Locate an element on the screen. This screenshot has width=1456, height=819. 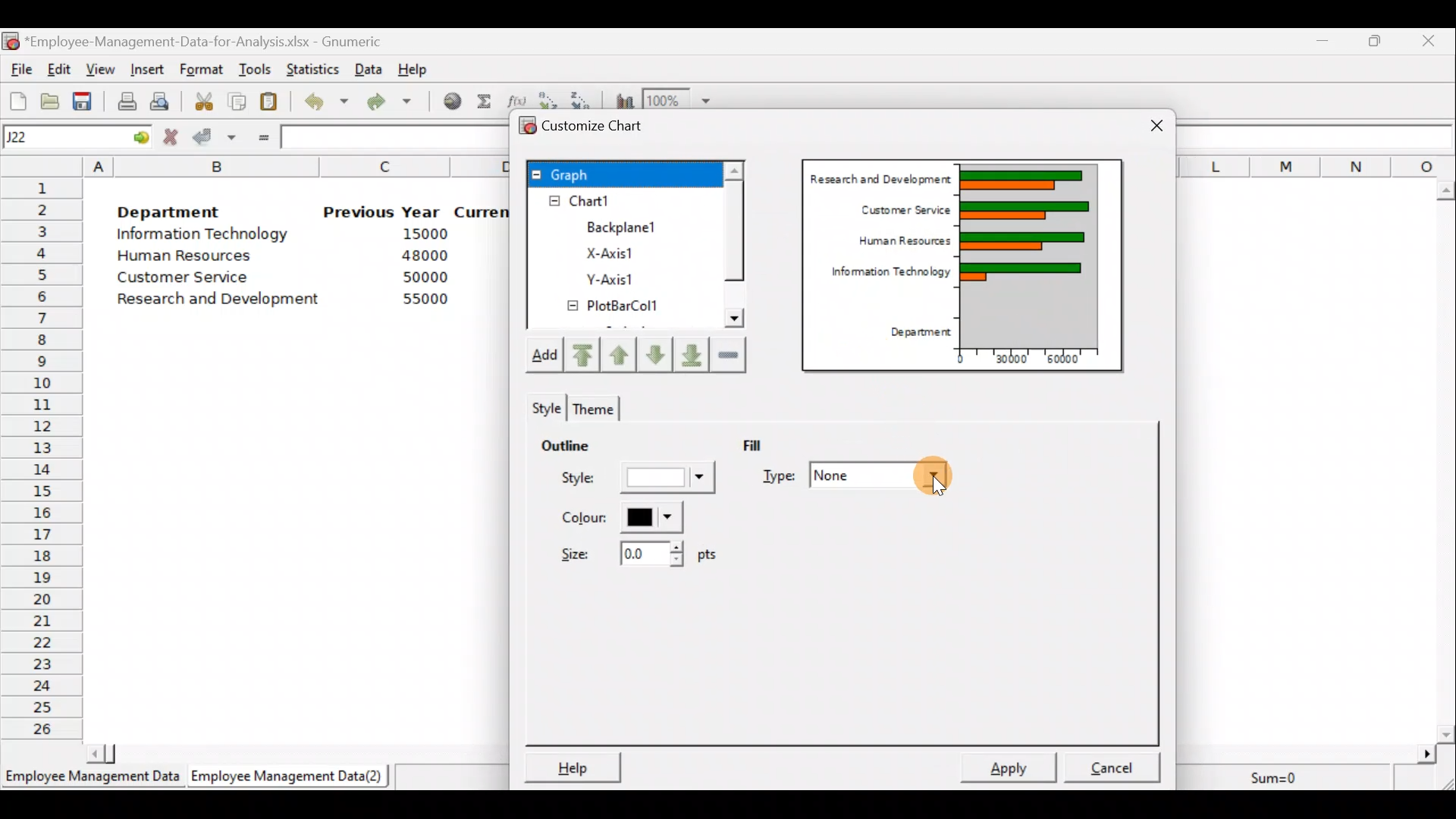
Maximize is located at coordinates (1378, 41).